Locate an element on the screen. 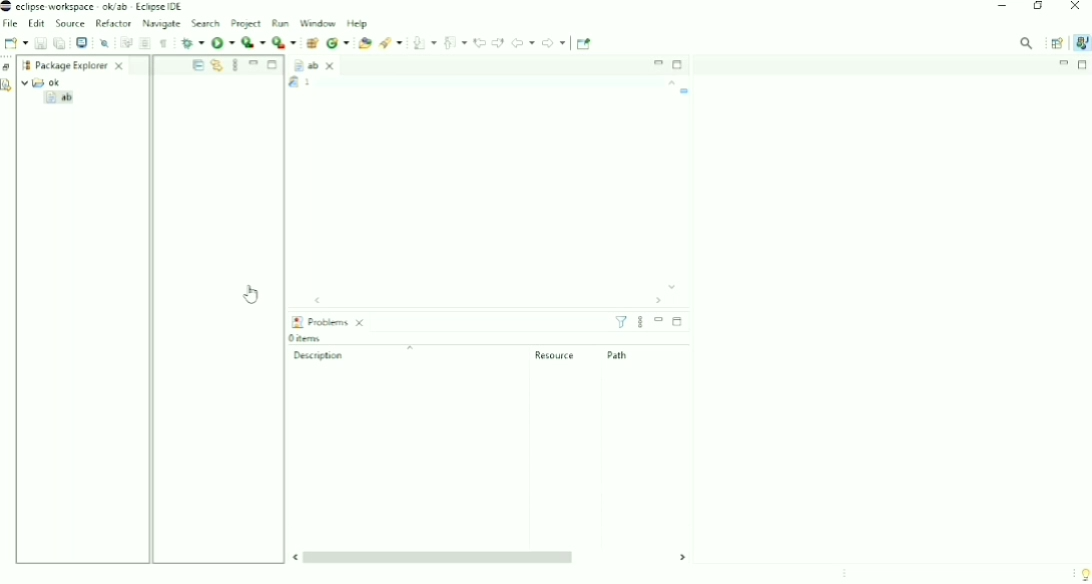  Pin Editor is located at coordinates (585, 44).